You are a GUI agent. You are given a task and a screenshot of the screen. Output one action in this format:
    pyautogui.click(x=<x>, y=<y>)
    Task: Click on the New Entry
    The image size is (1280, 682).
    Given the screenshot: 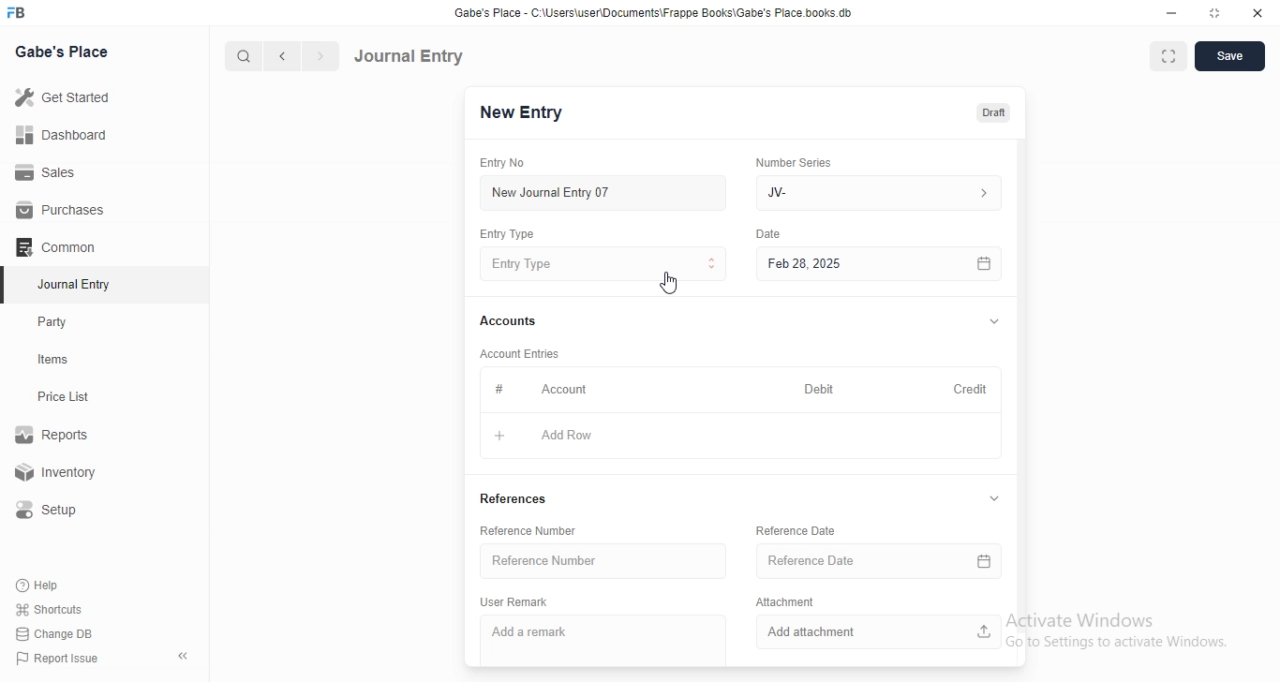 What is the action you would take?
    pyautogui.click(x=521, y=113)
    